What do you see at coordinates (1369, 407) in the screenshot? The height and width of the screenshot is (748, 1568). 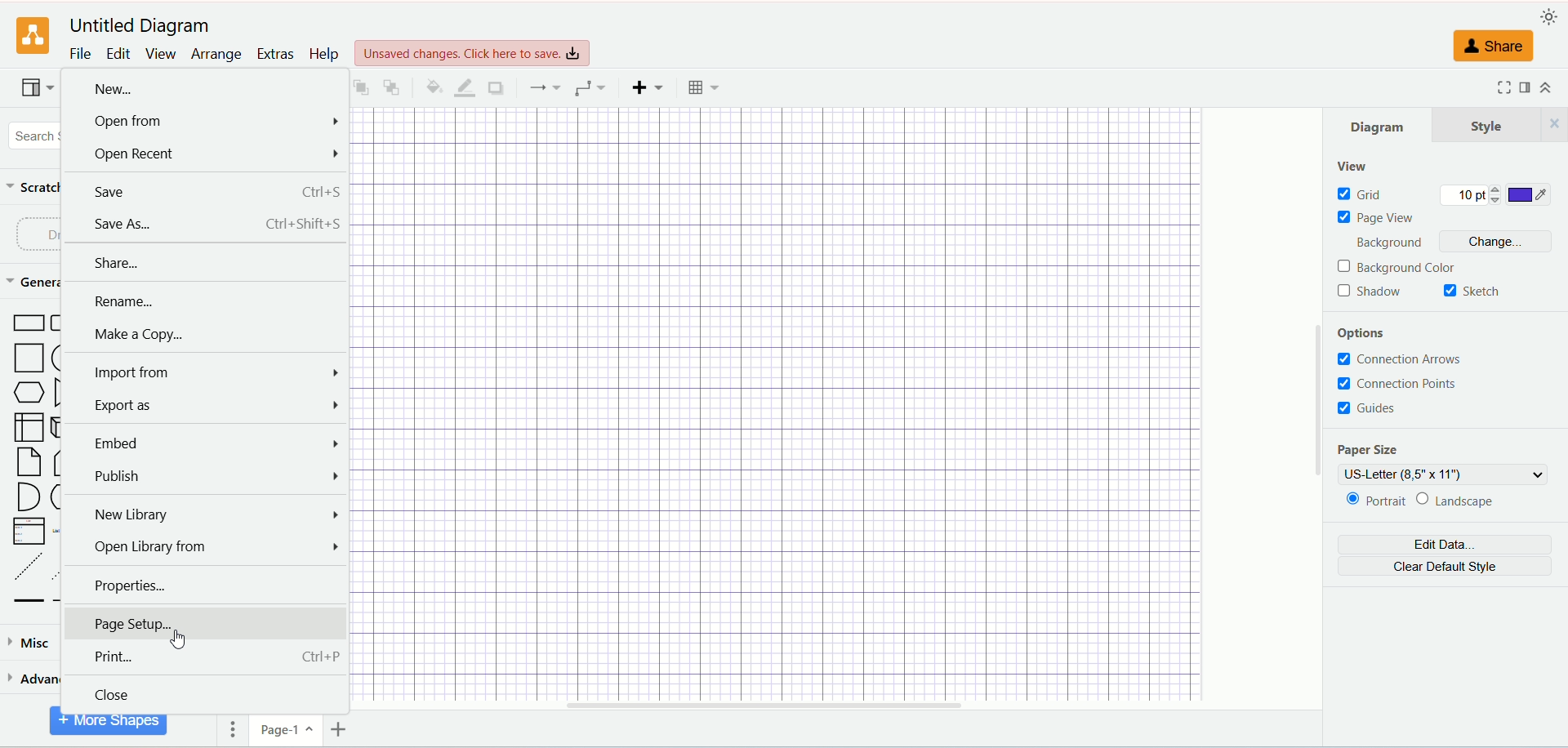 I see `guides` at bounding box center [1369, 407].